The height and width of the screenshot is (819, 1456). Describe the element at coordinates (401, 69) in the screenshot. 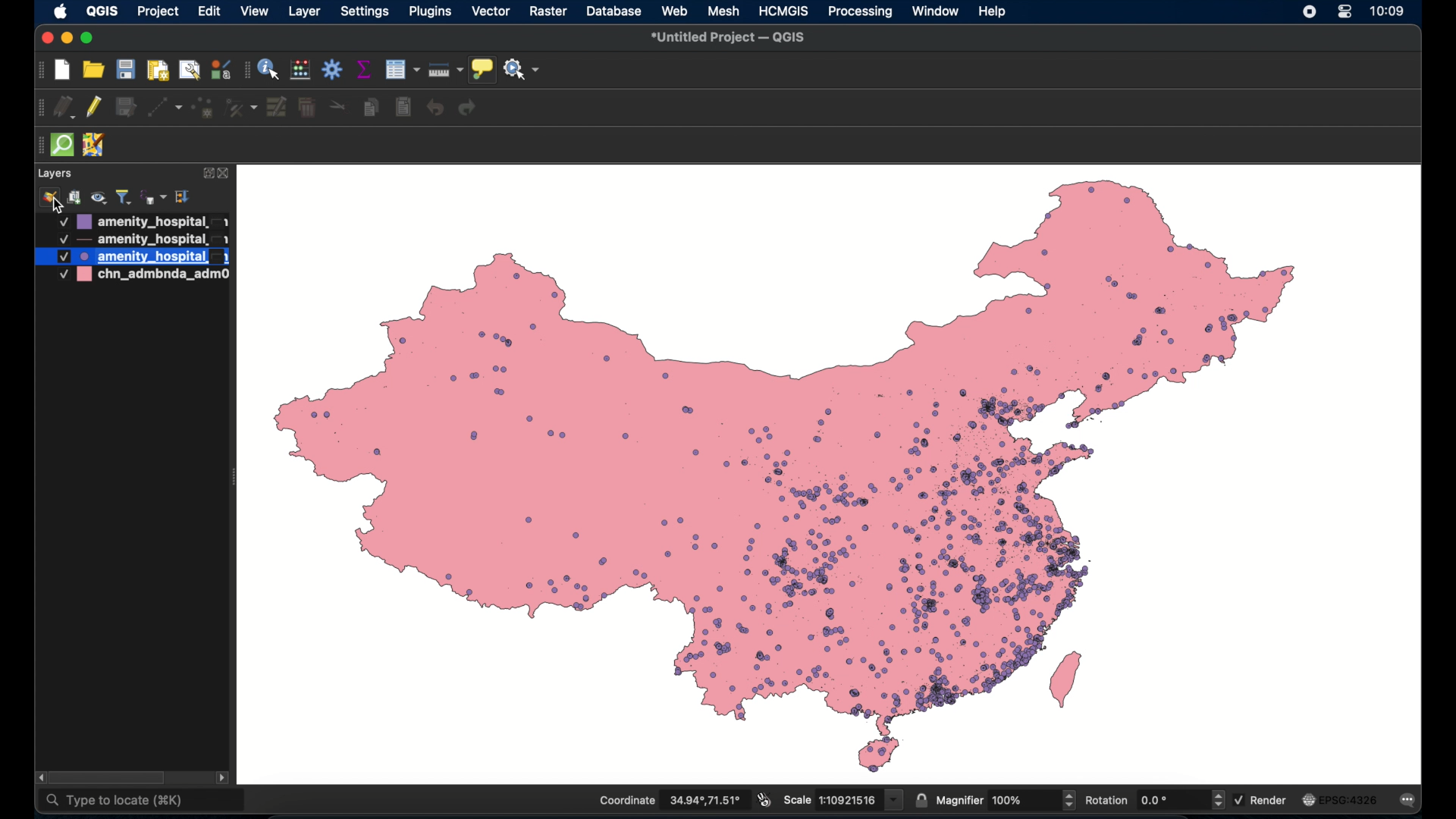

I see `open attribute table` at that location.